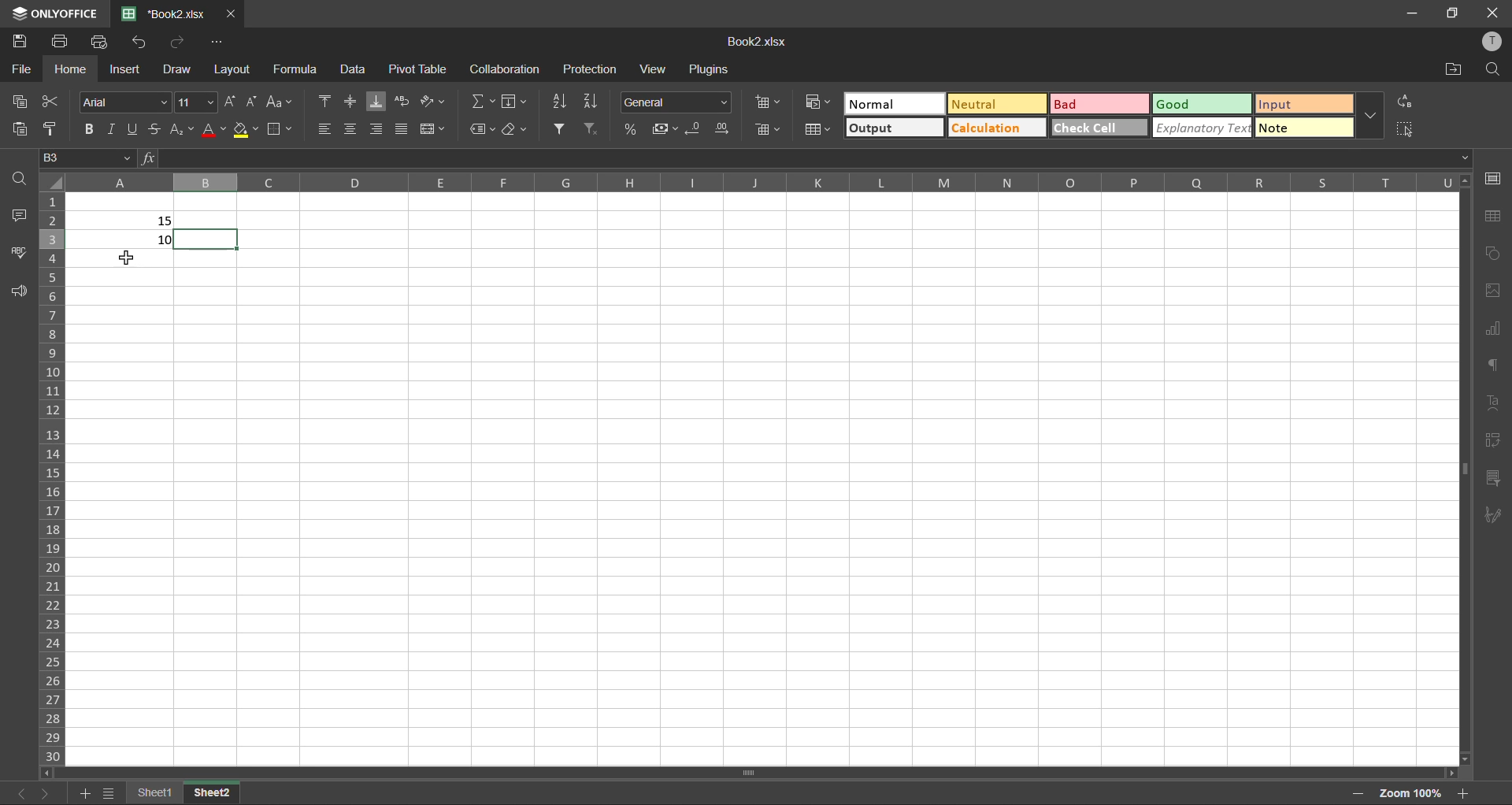 This screenshot has width=1512, height=805. I want to click on quick print, so click(102, 42).